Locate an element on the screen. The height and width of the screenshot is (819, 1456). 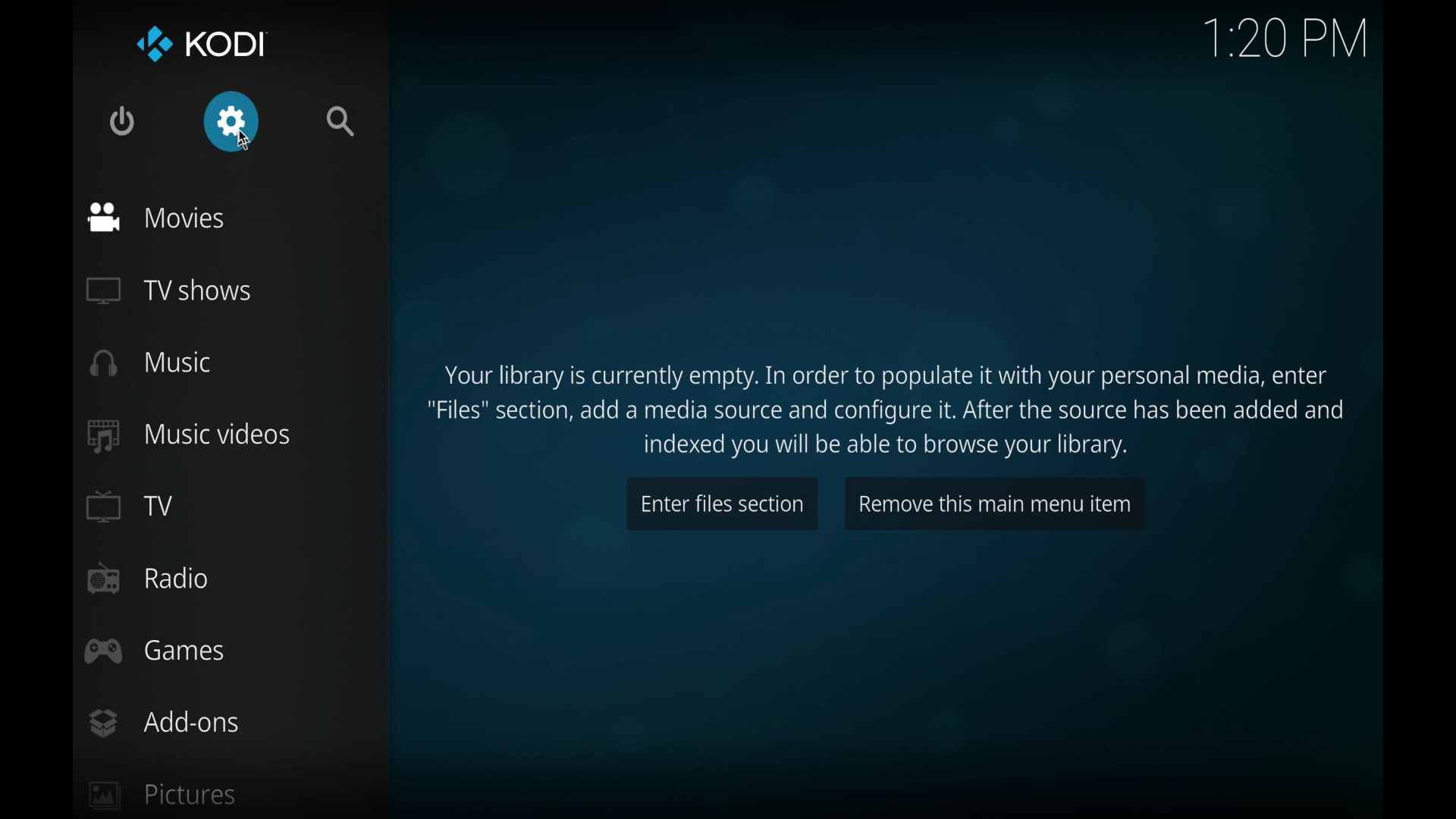
games is located at coordinates (155, 651).